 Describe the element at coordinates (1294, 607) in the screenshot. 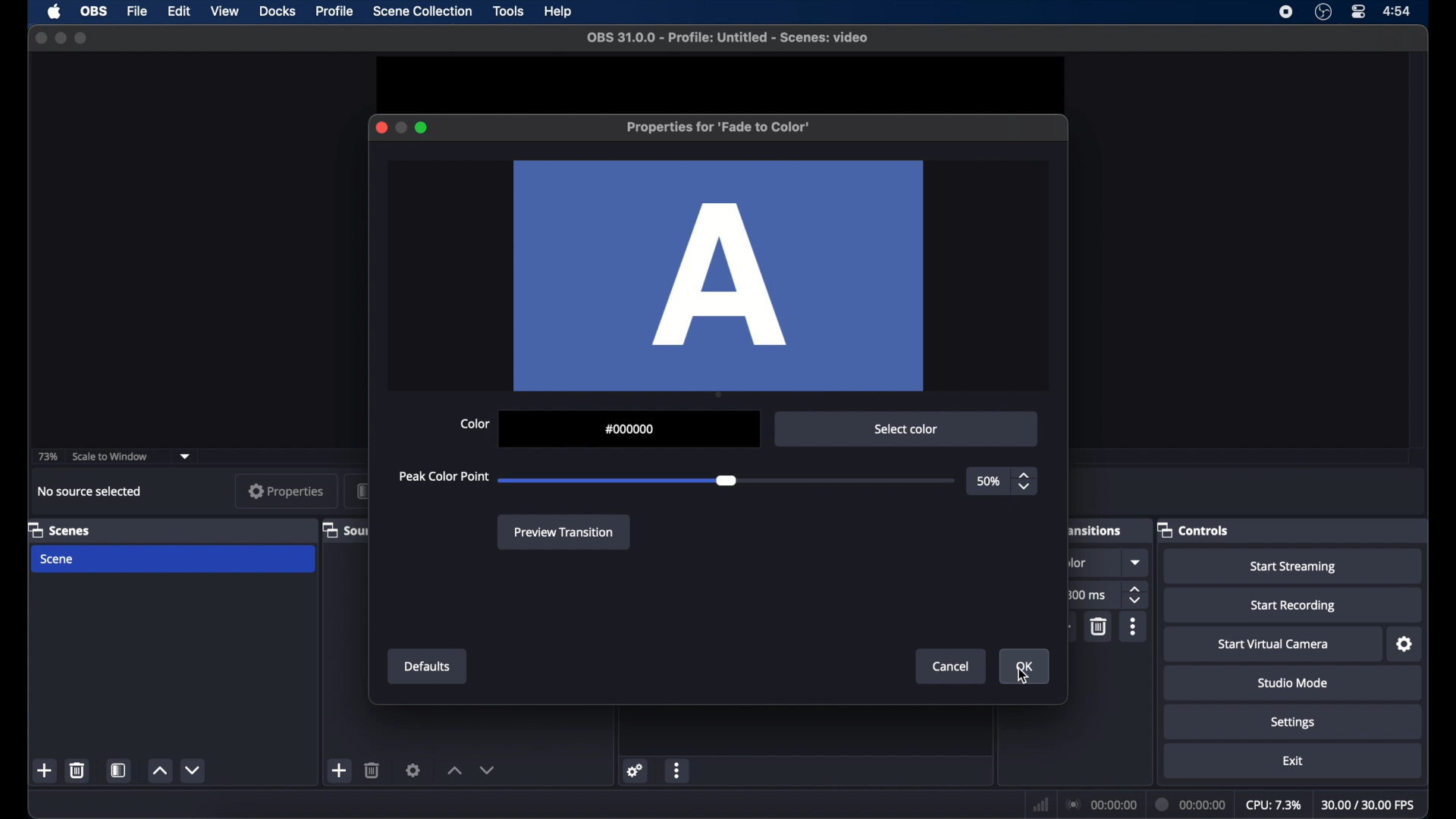

I see `start recording` at that location.